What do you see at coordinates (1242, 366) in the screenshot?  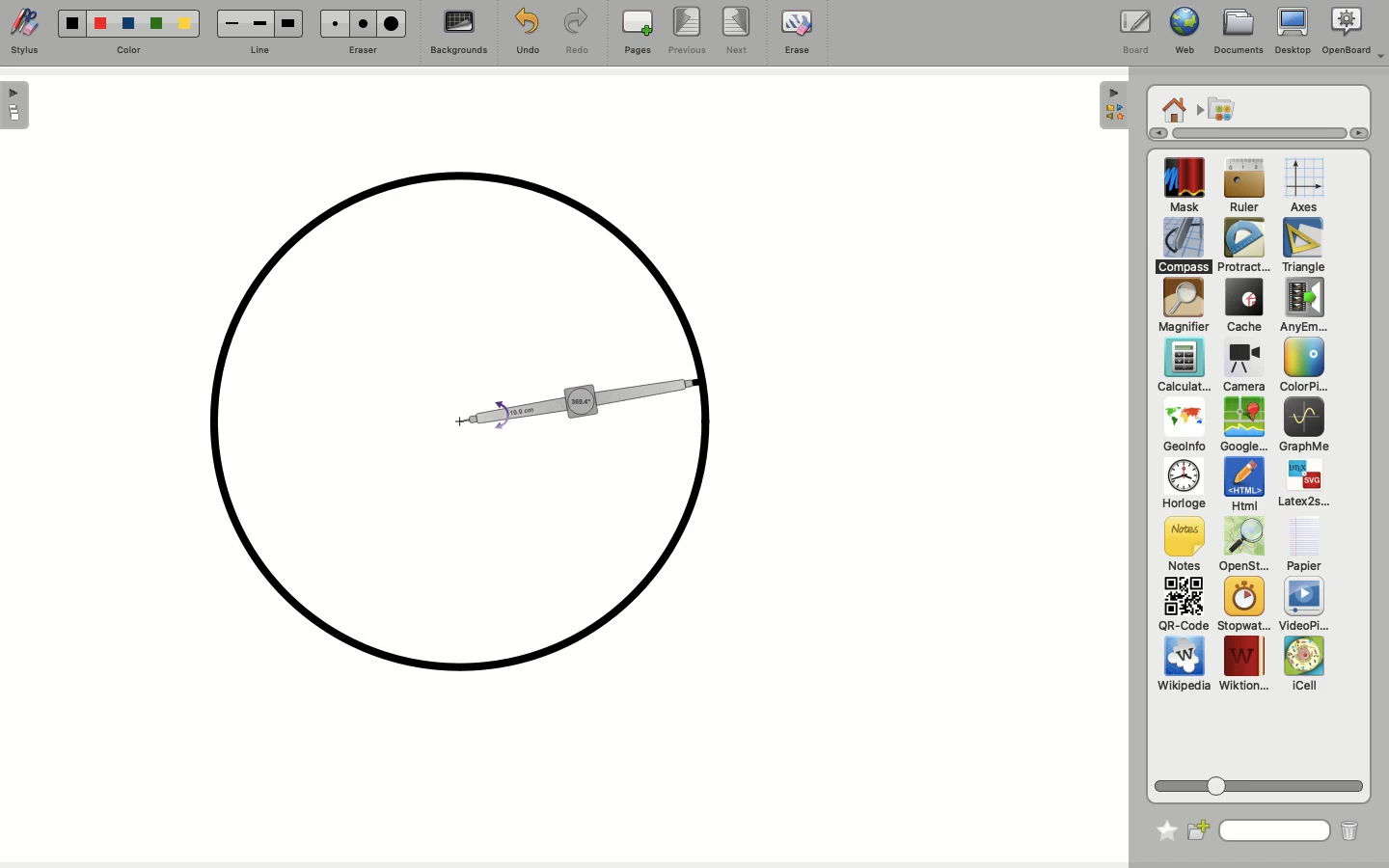 I see `Camera` at bounding box center [1242, 366].